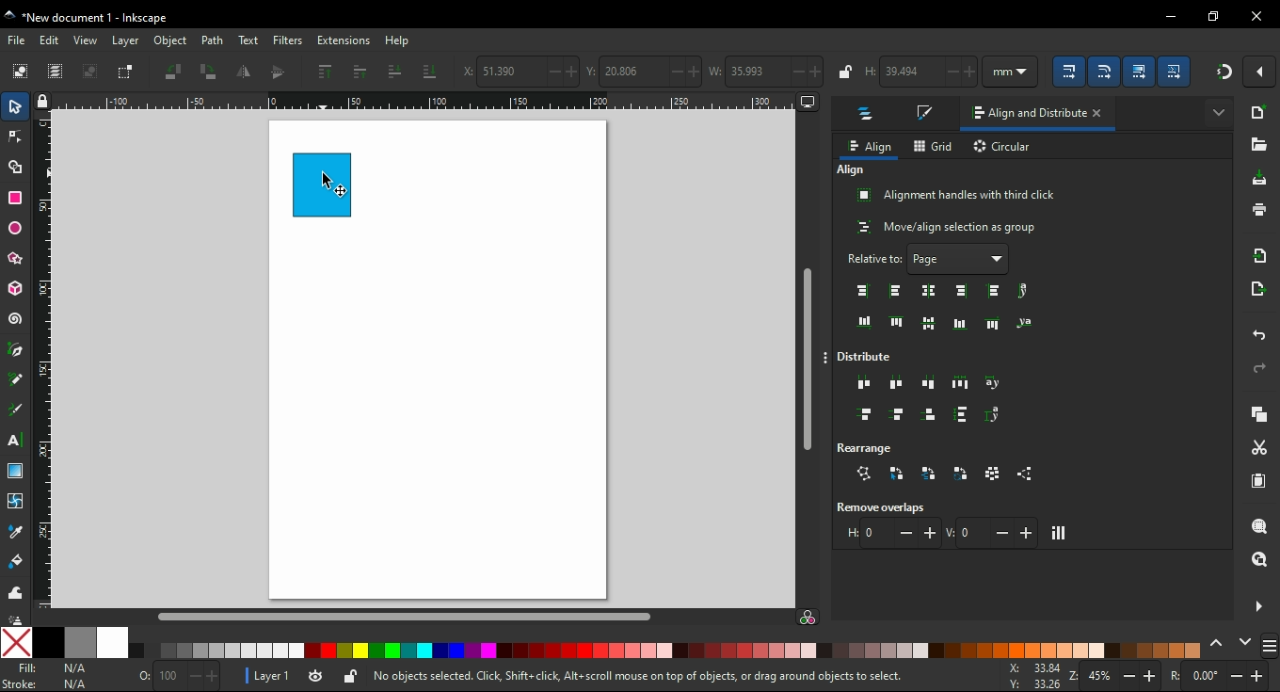 The image size is (1280, 692). I want to click on opacity, so click(176, 675).